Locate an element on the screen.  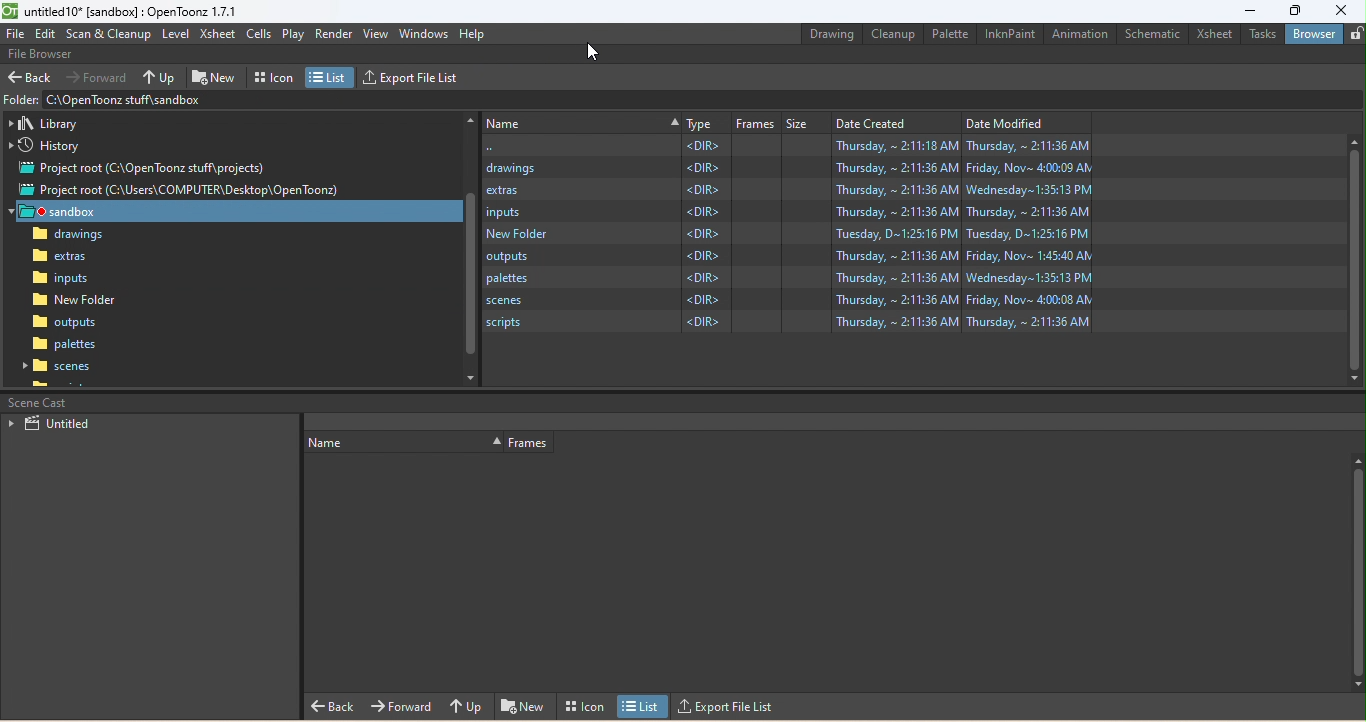
Drawing is located at coordinates (828, 36).